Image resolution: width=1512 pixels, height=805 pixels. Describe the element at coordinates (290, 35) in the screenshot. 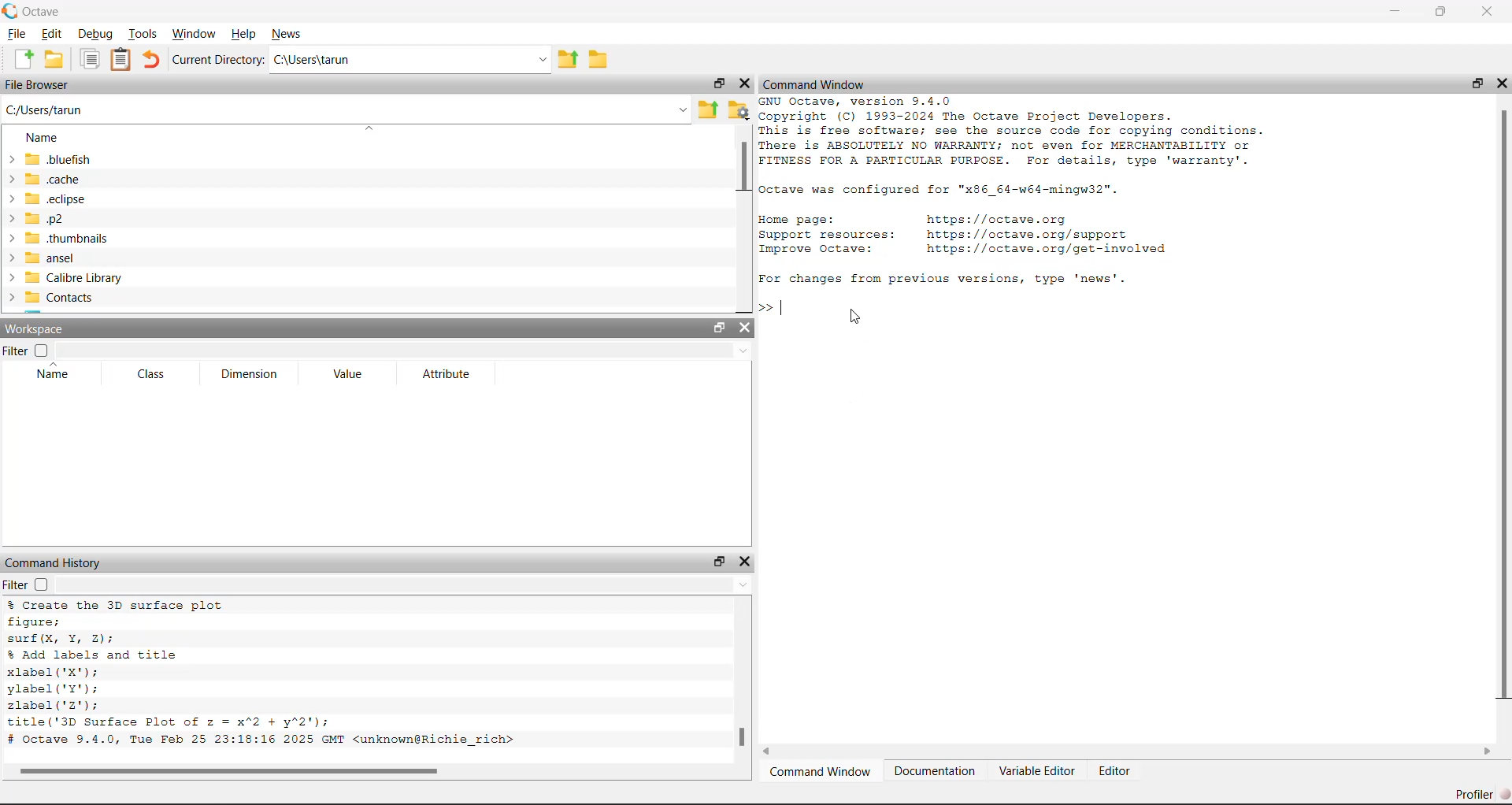

I see `News` at that location.